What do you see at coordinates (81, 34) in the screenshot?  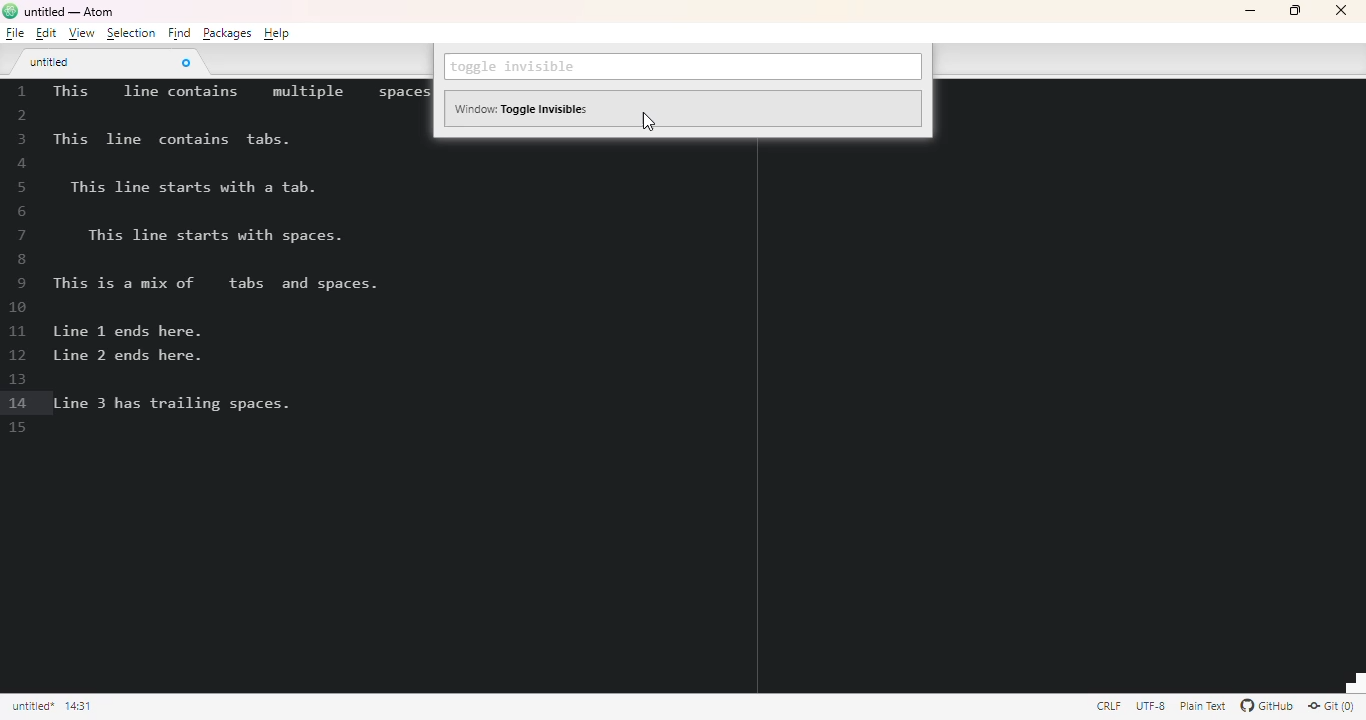 I see `view` at bounding box center [81, 34].